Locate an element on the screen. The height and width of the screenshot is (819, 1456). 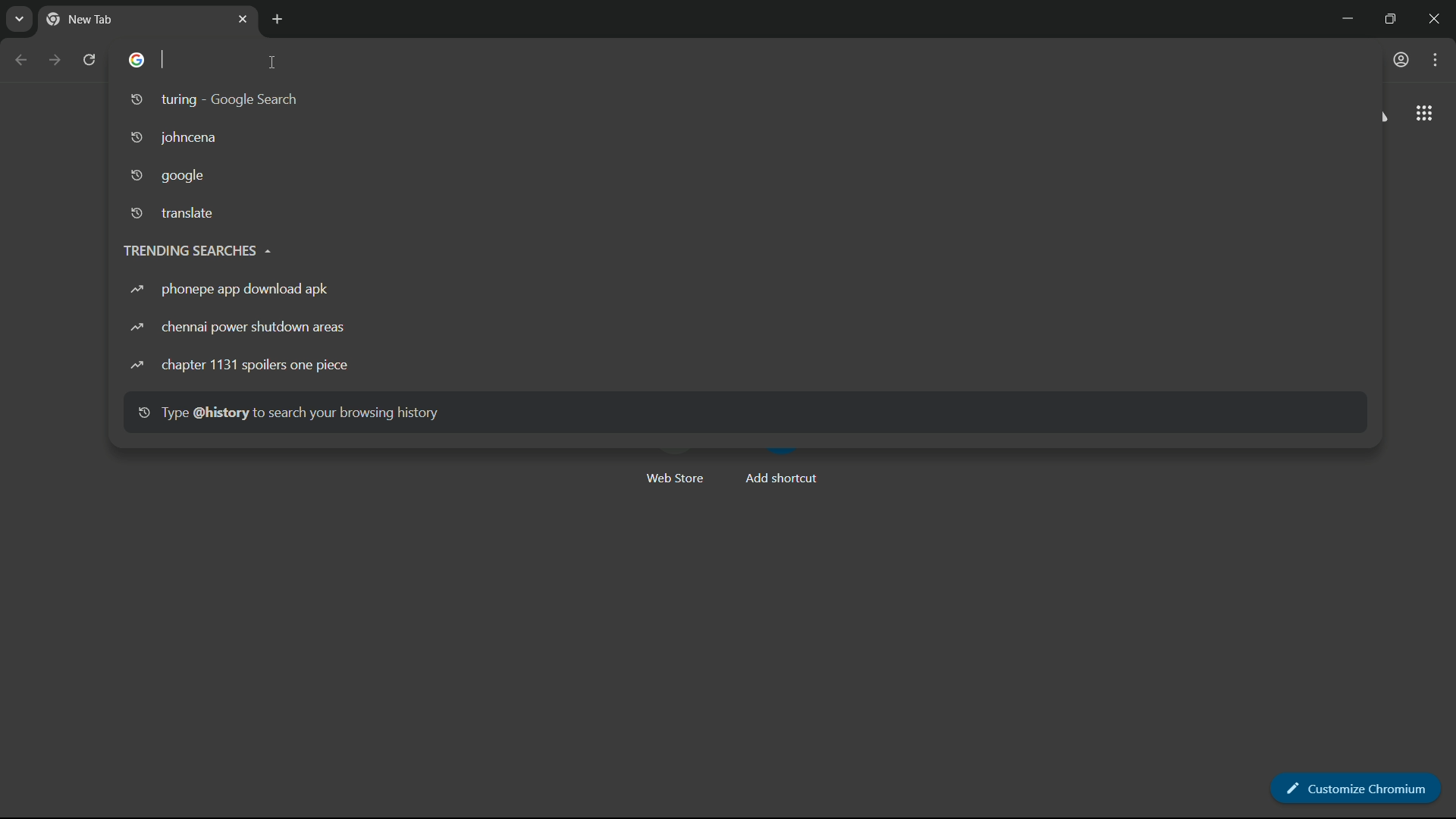
new tab is located at coordinates (278, 20).